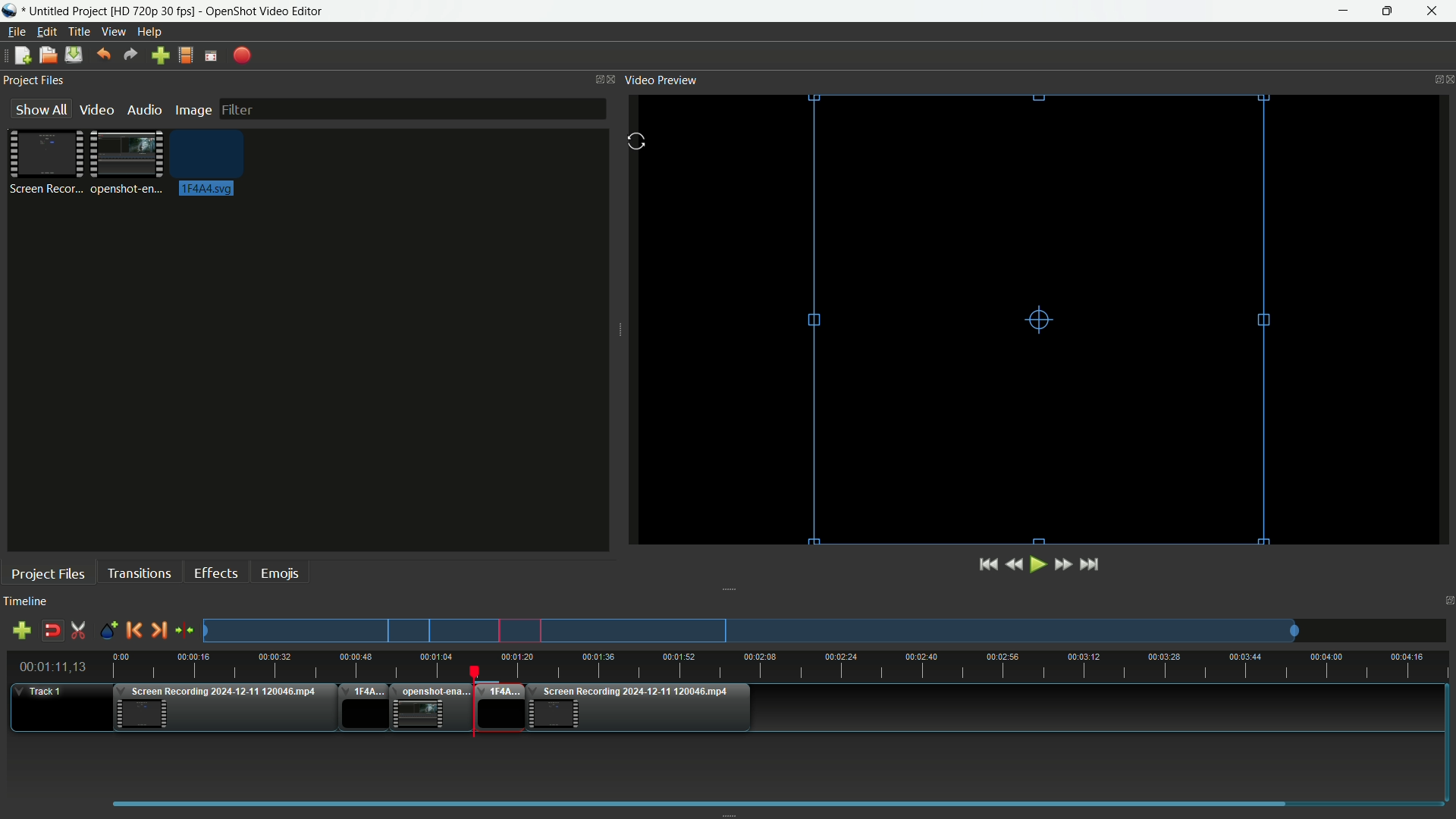 This screenshot has width=1456, height=819. I want to click on video preview, so click(1043, 318).